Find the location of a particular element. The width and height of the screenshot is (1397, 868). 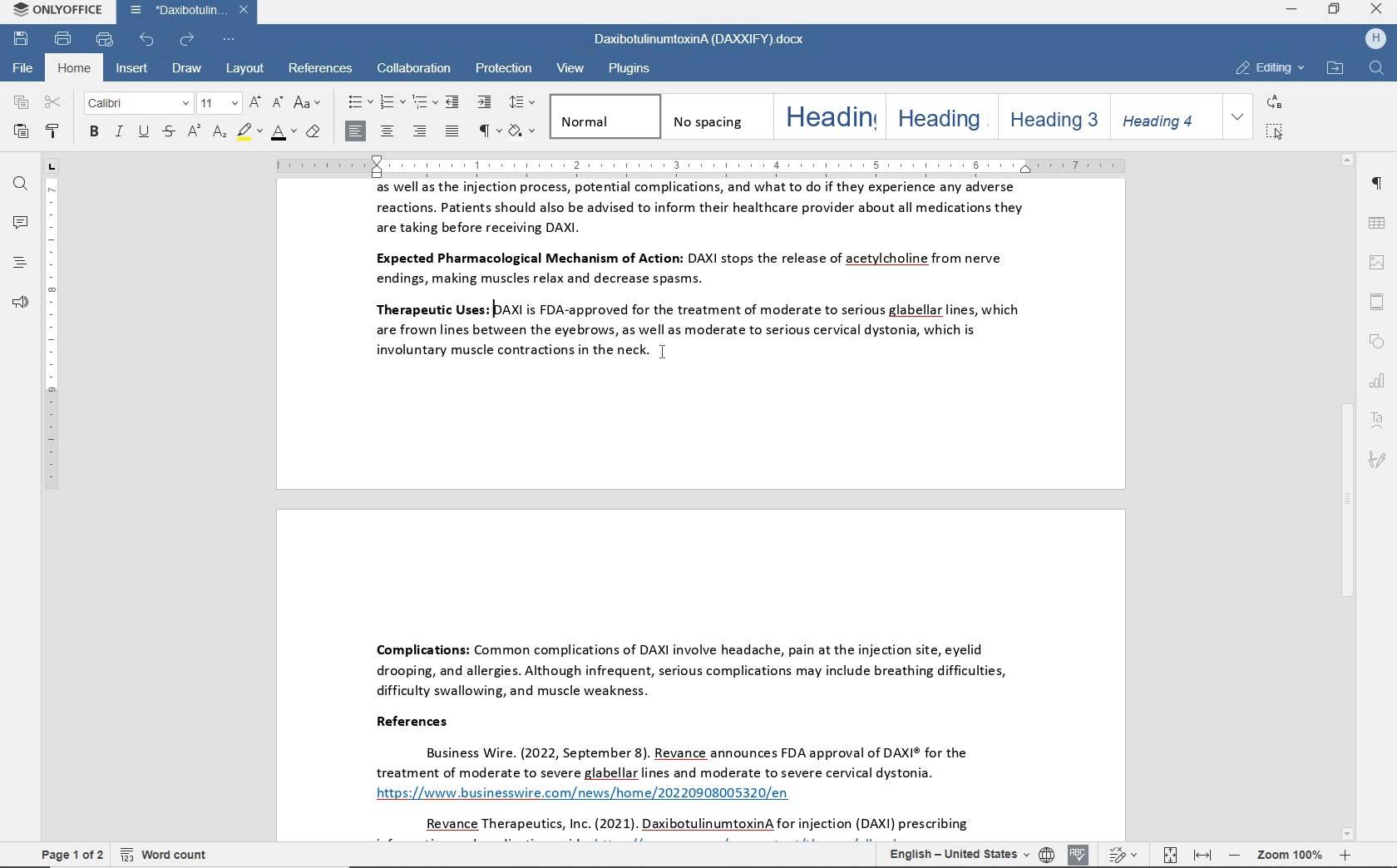

page 1 of 2 is located at coordinates (72, 853).